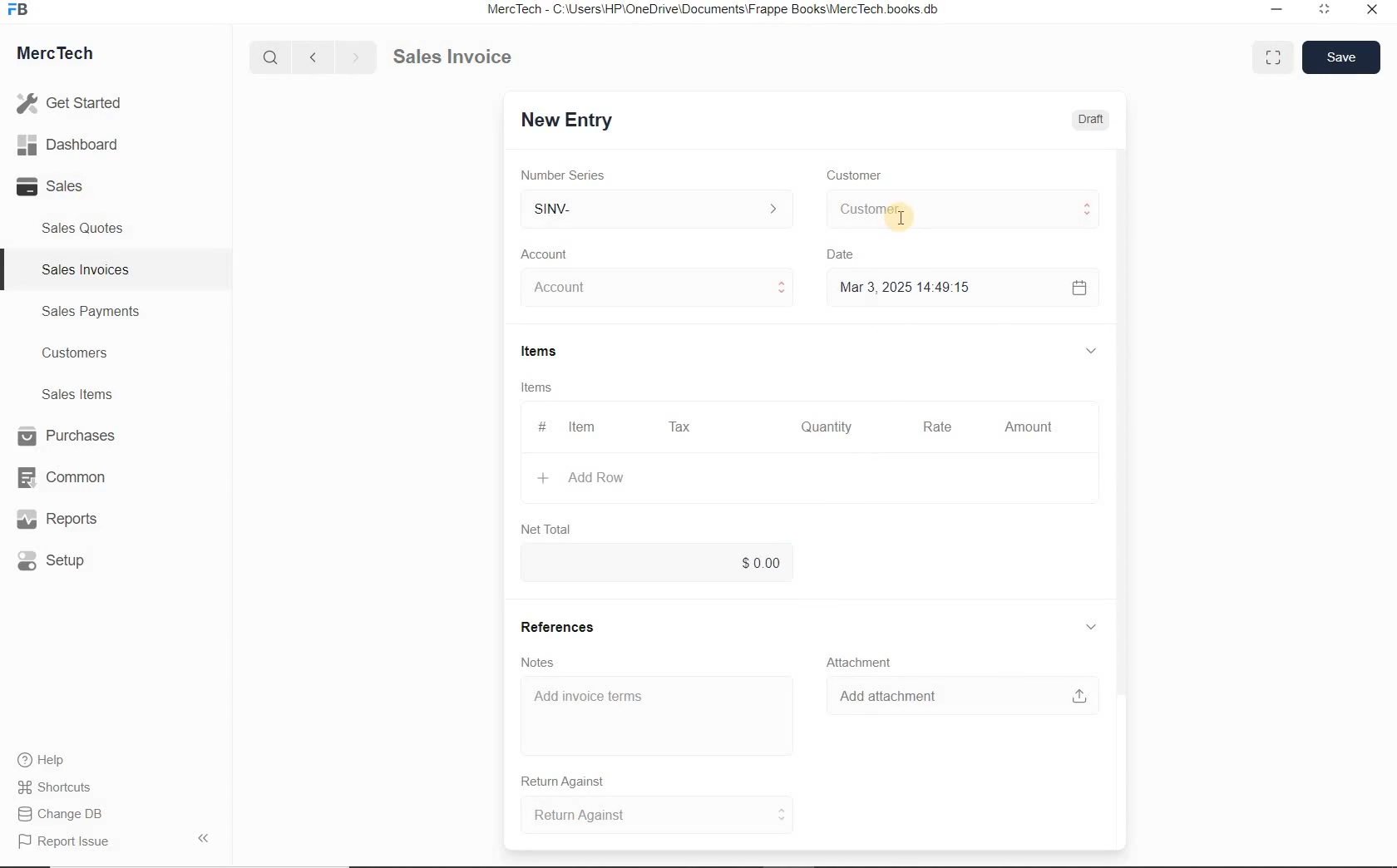 The height and width of the screenshot is (868, 1397). Describe the element at coordinates (355, 57) in the screenshot. I see `Go forward` at that location.